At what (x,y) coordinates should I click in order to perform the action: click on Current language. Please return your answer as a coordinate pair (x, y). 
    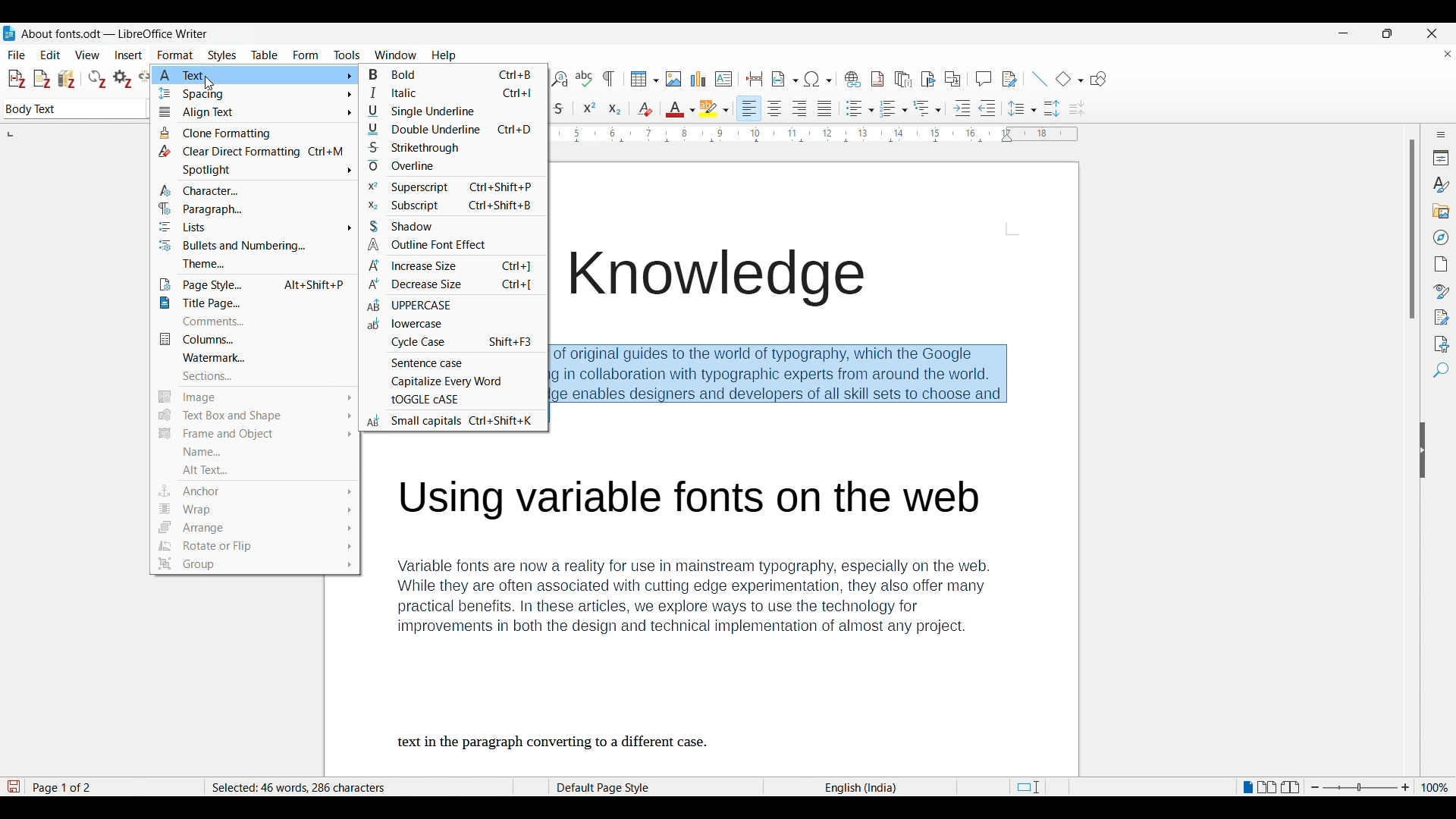
    Looking at the image, I should click on (863, 787).